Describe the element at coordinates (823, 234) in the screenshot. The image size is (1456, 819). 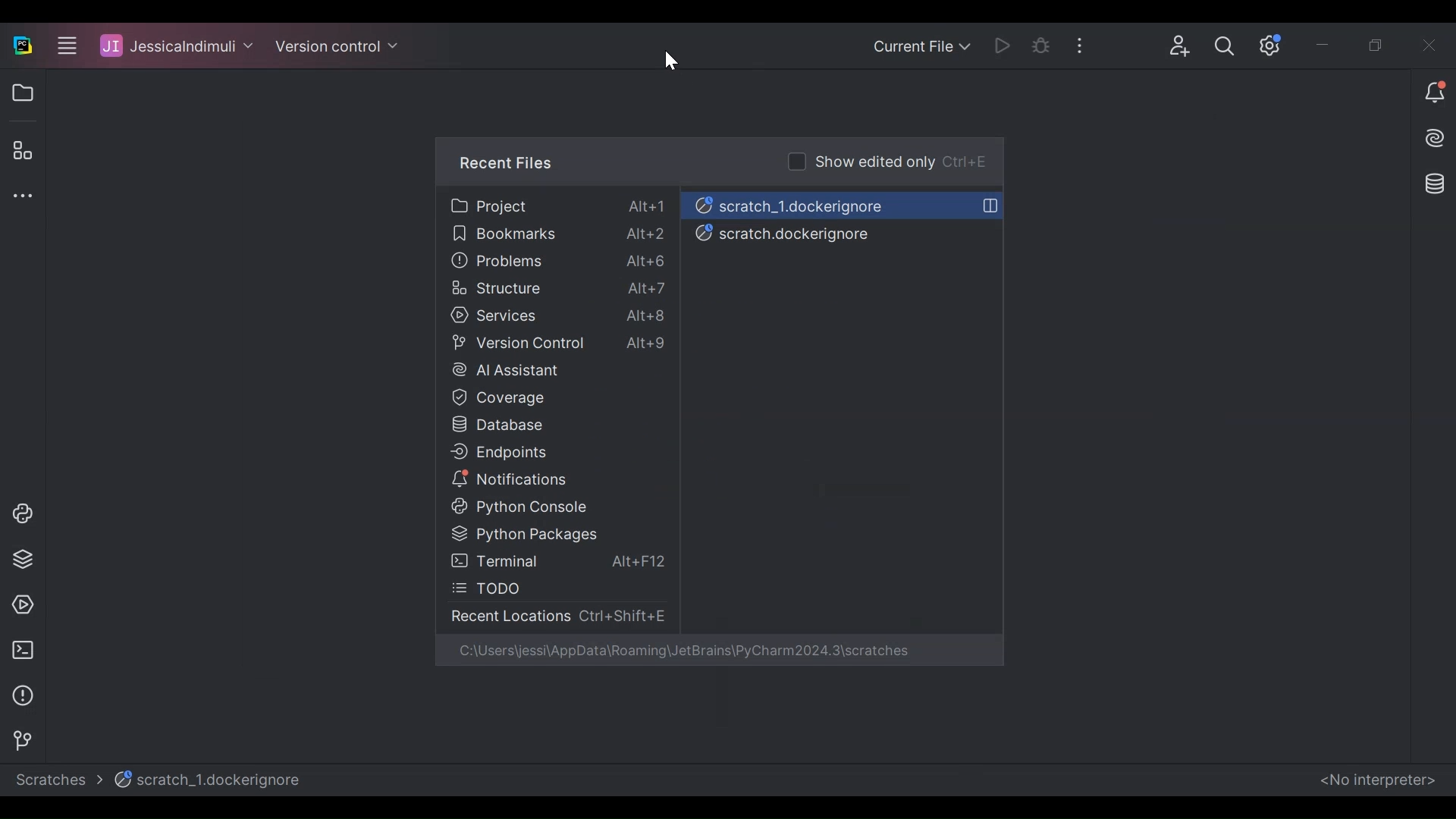
I see `Scratch File` at that location.